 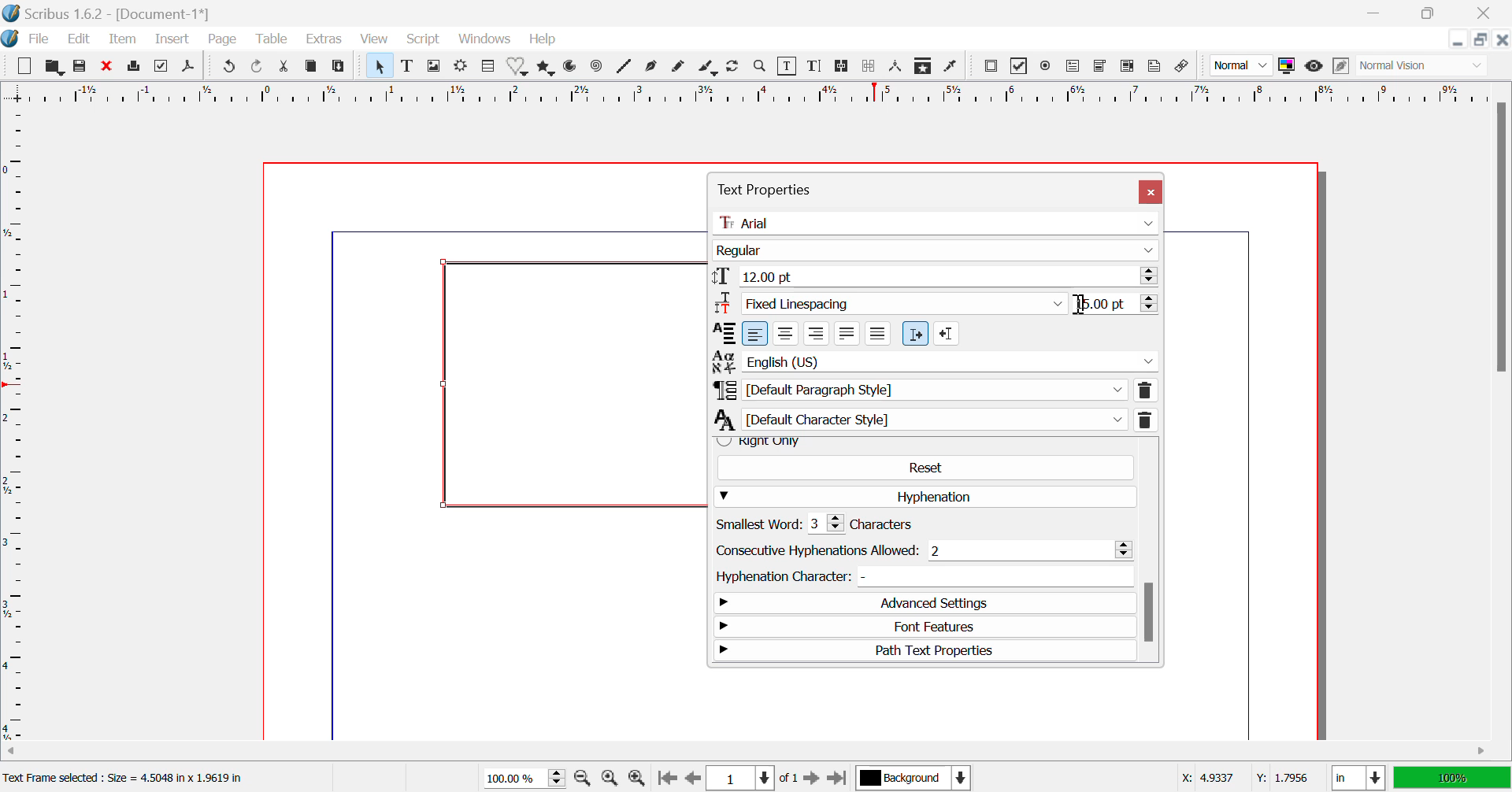 I want to click on Edit Text with Story Editor, so click(x=816, y=68).